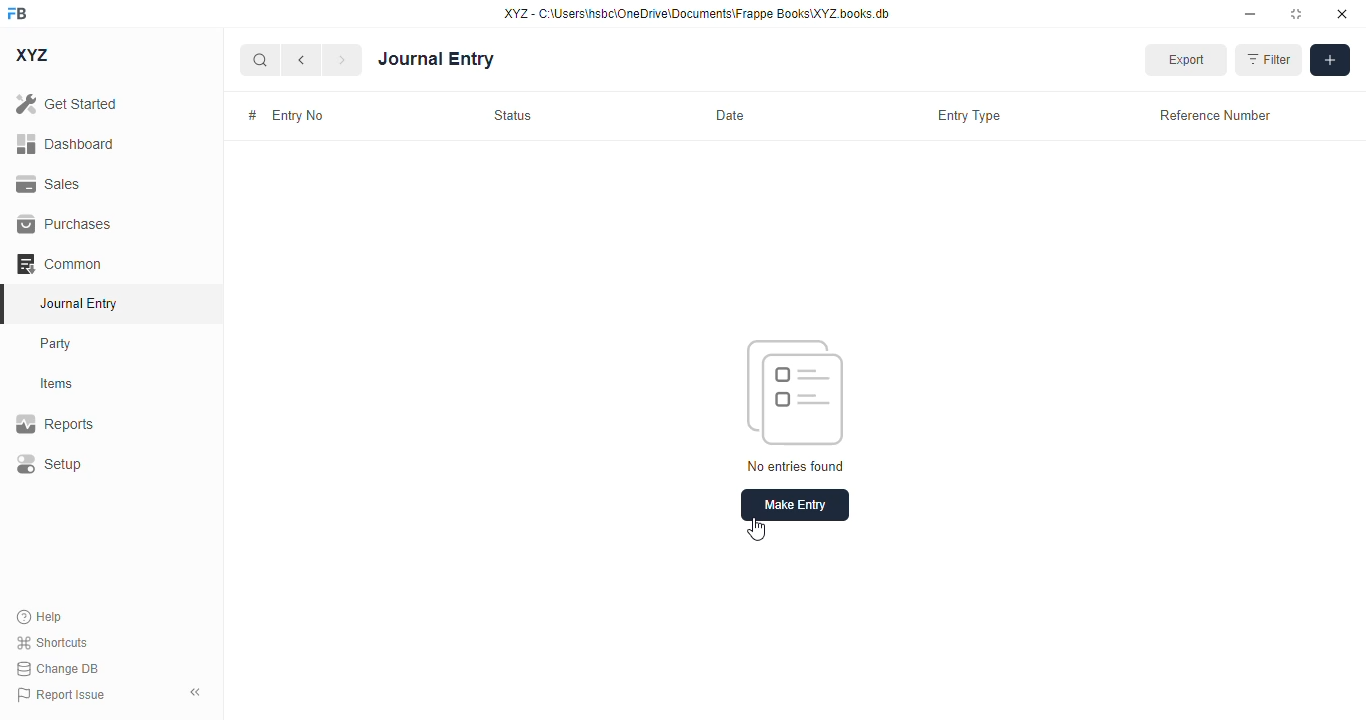 Image resolution: width=1366 pixels, height=720 pixels. Describe the element at coordinates (436, 60) in the screenshot. I see `journal entry` at that location.